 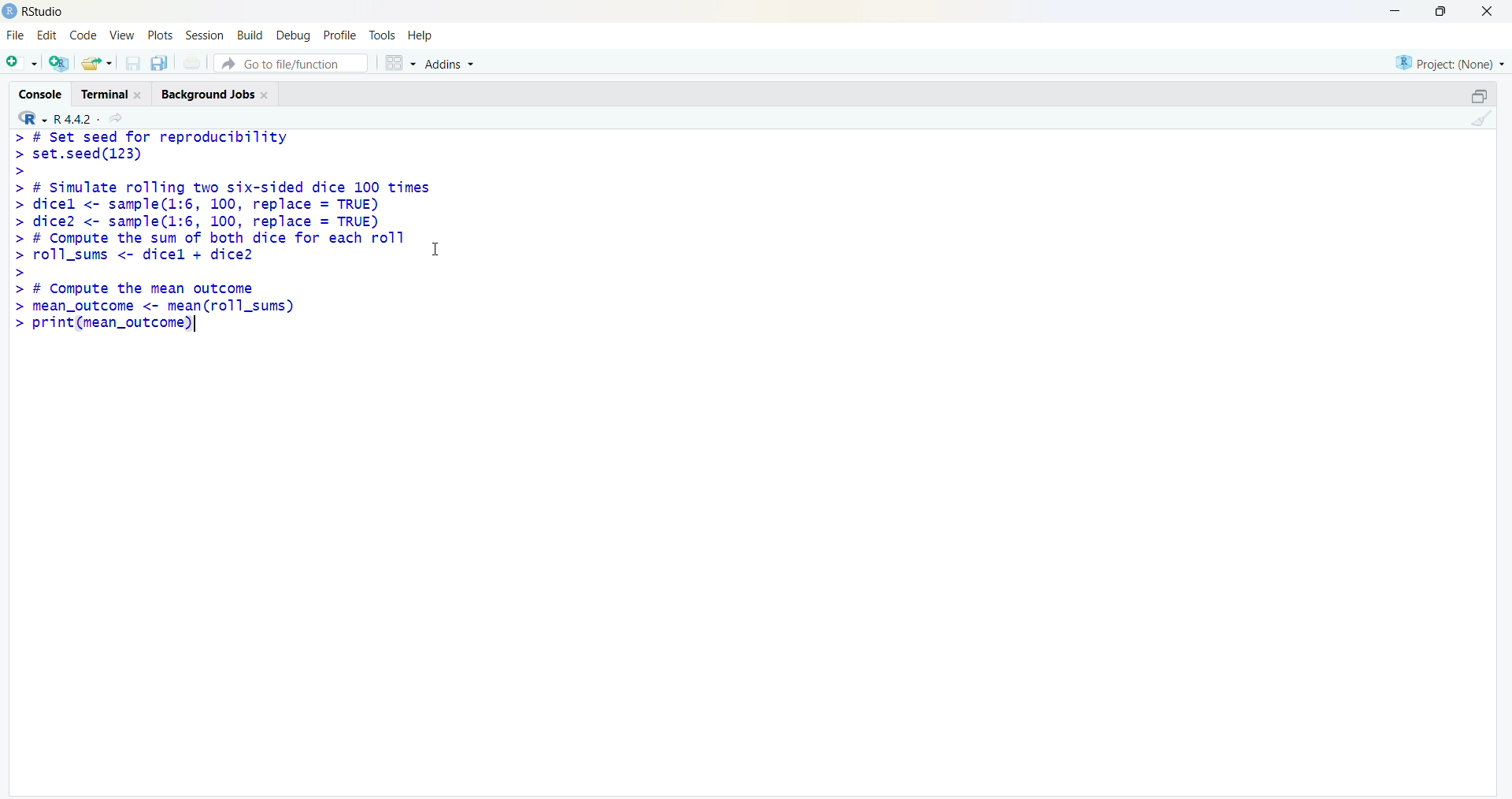 What do you see at coordinates (46, 13) in the screenshot?
I see `RStudio` at bounding box center [46, 13].